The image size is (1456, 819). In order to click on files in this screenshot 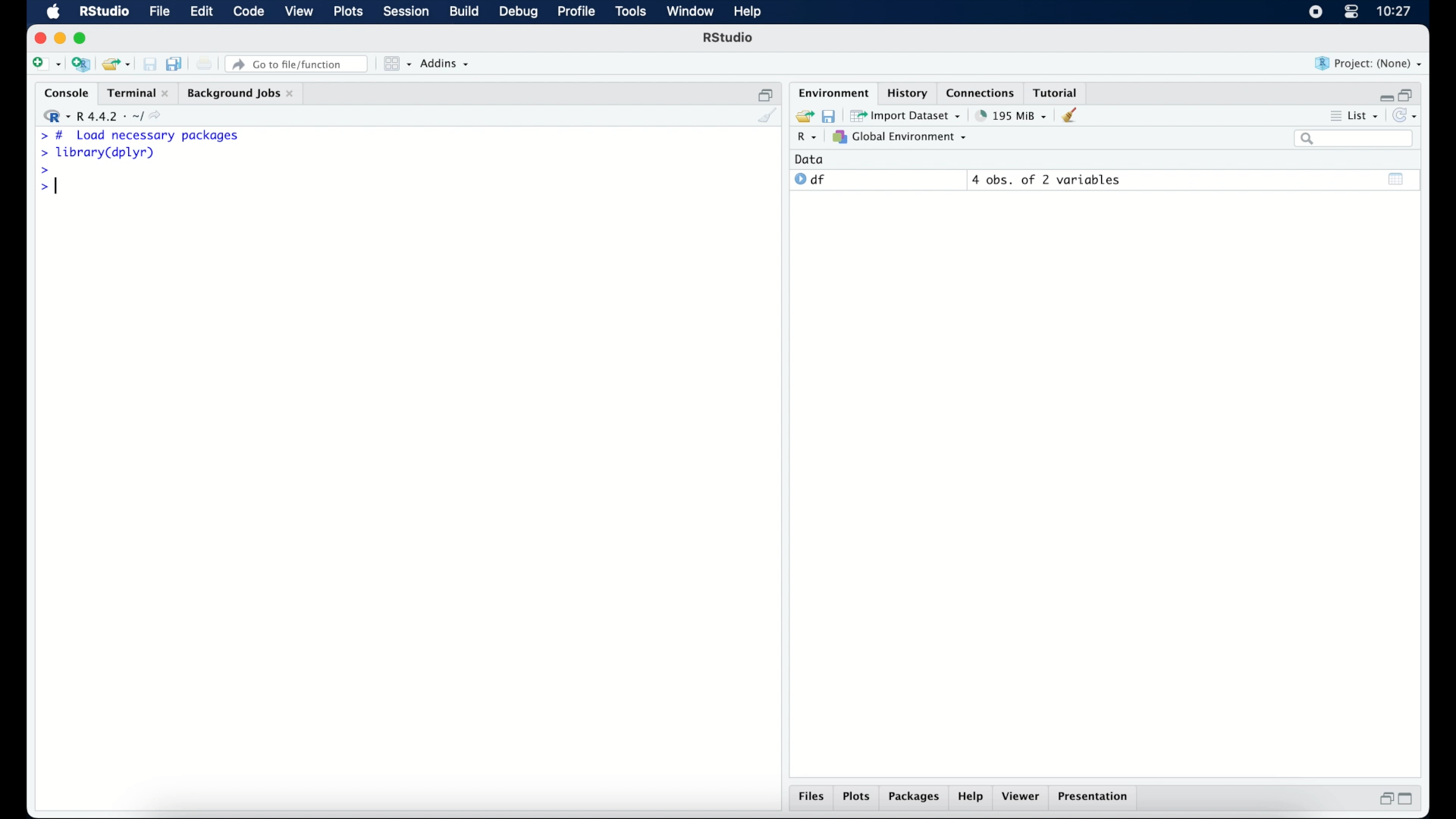, I will do `click(811, 799)`.